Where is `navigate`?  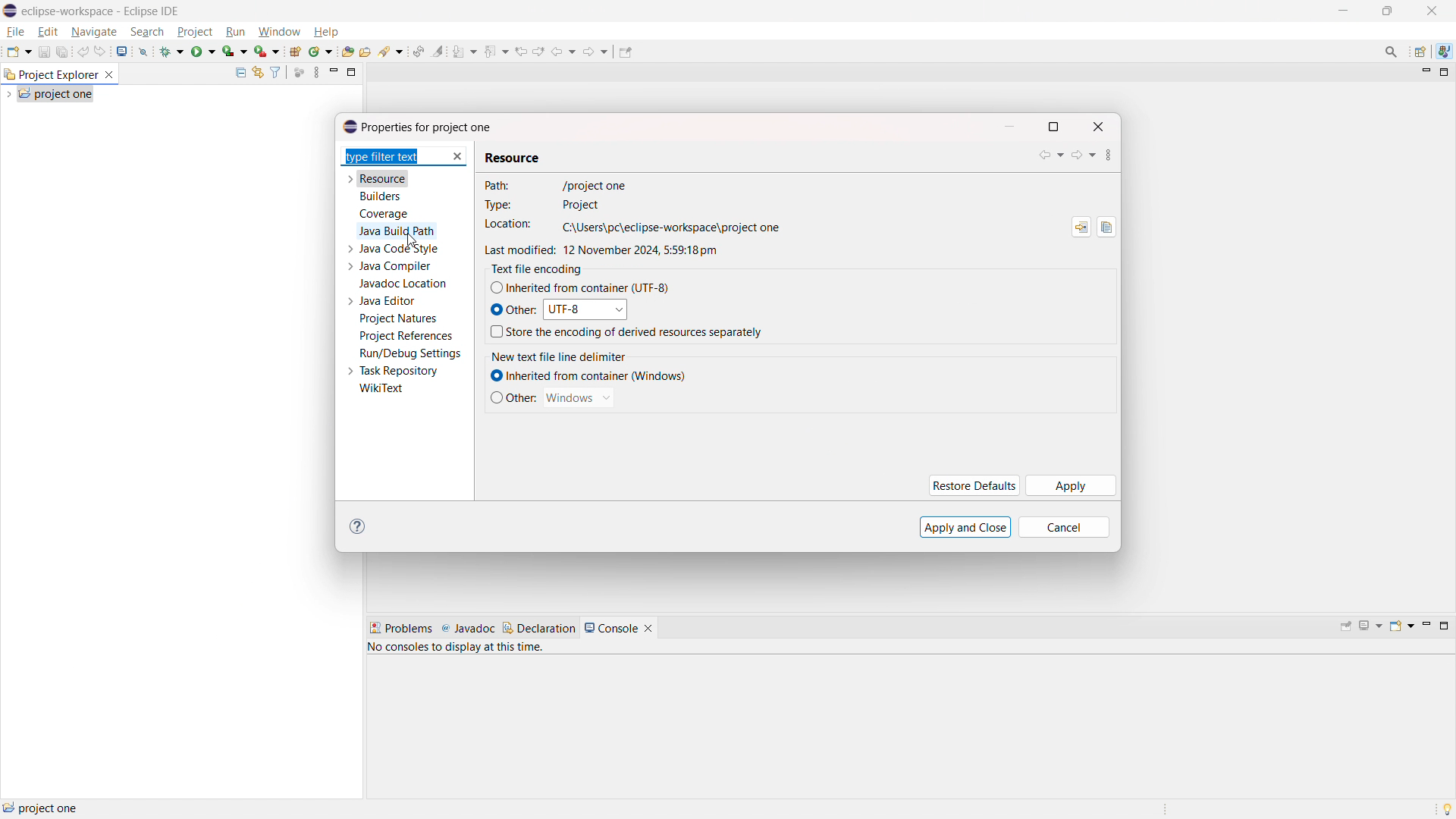
navigate is located at coordinates (93, 31).